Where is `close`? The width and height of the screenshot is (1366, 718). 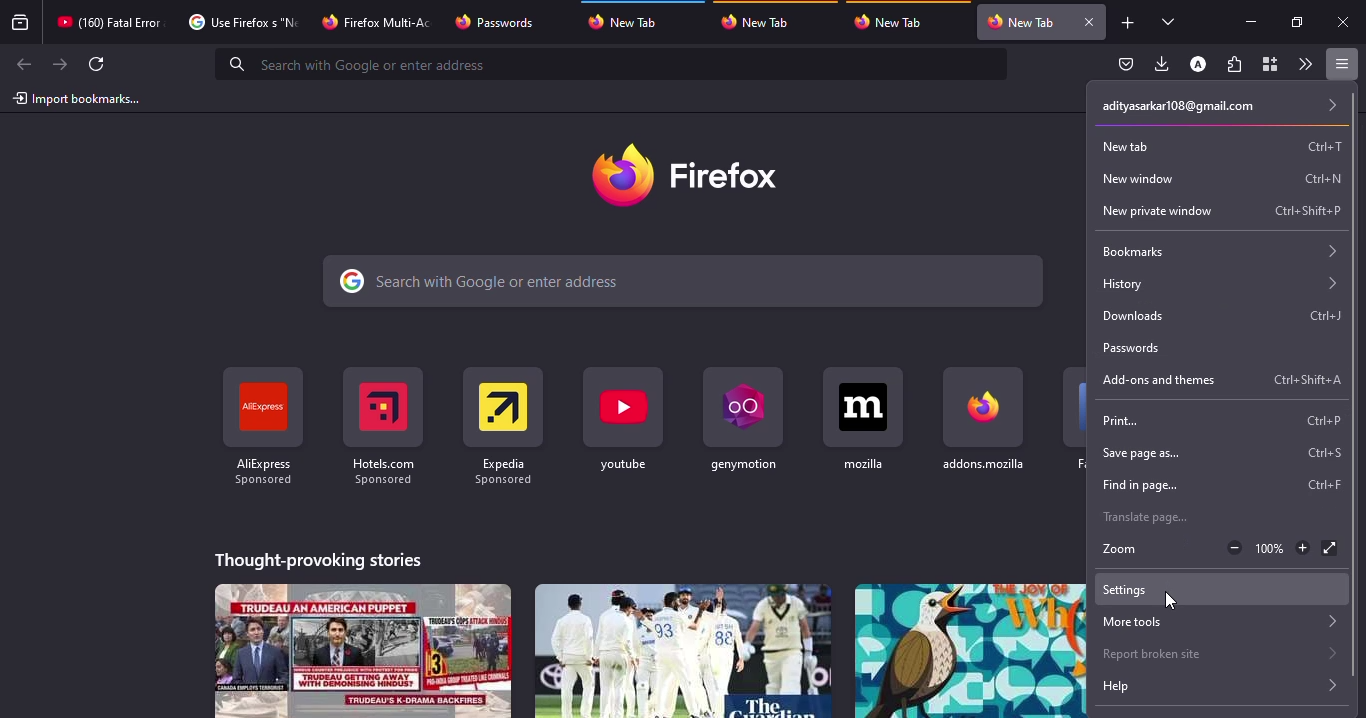 close is located at coordinates (1345, 23).